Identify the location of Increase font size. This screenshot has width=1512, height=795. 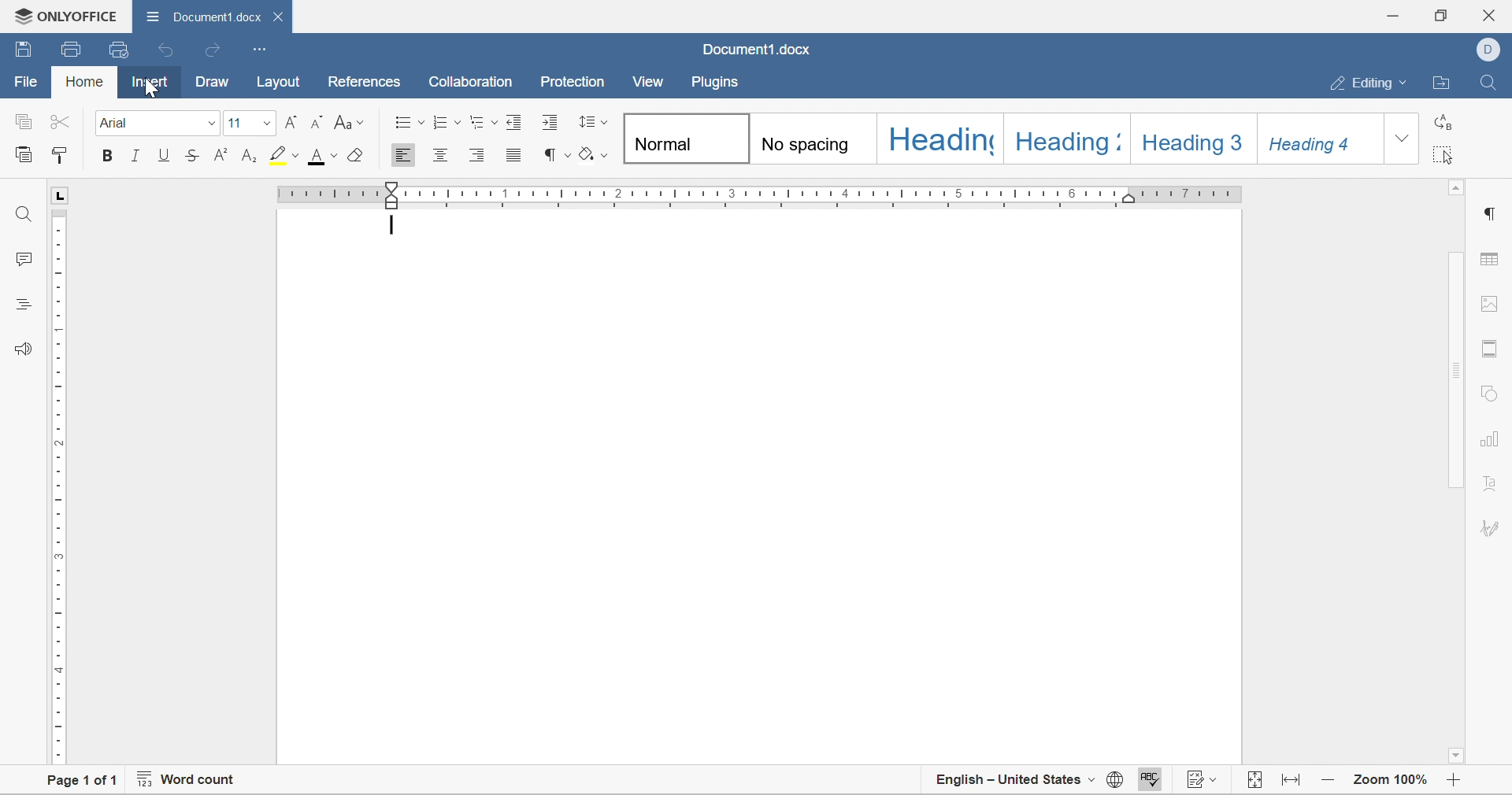
(295, 121).